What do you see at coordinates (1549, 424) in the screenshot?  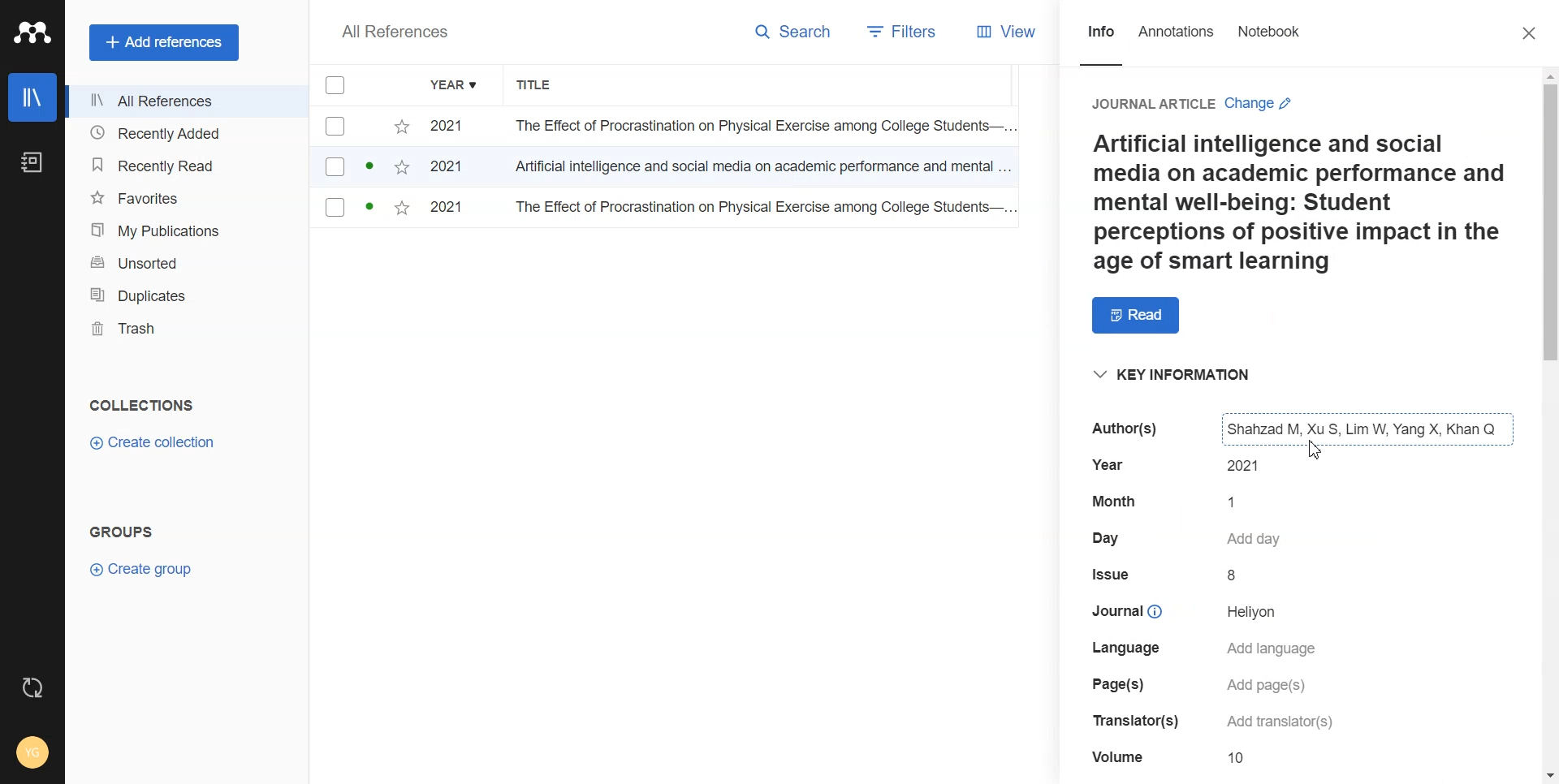 I see `Vertical scroll bar` at bounding box center [1549, 424].